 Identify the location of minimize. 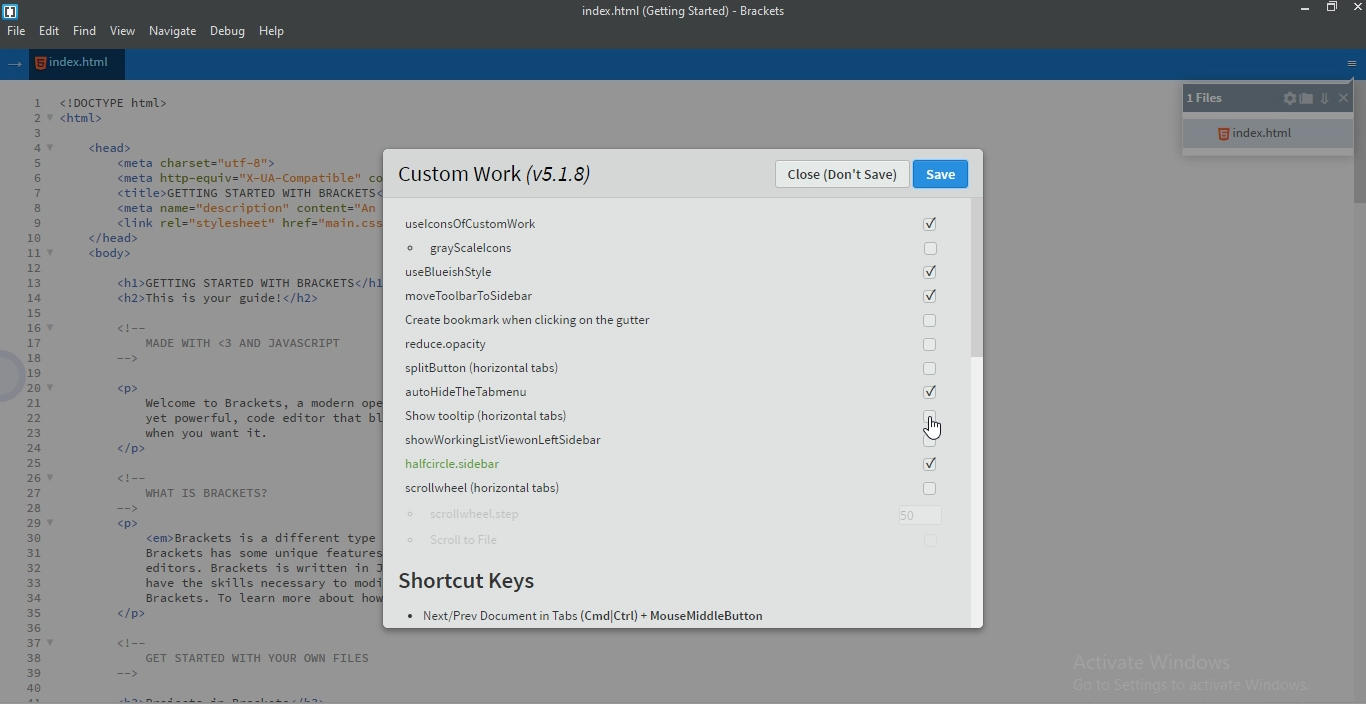
(1306, 8).